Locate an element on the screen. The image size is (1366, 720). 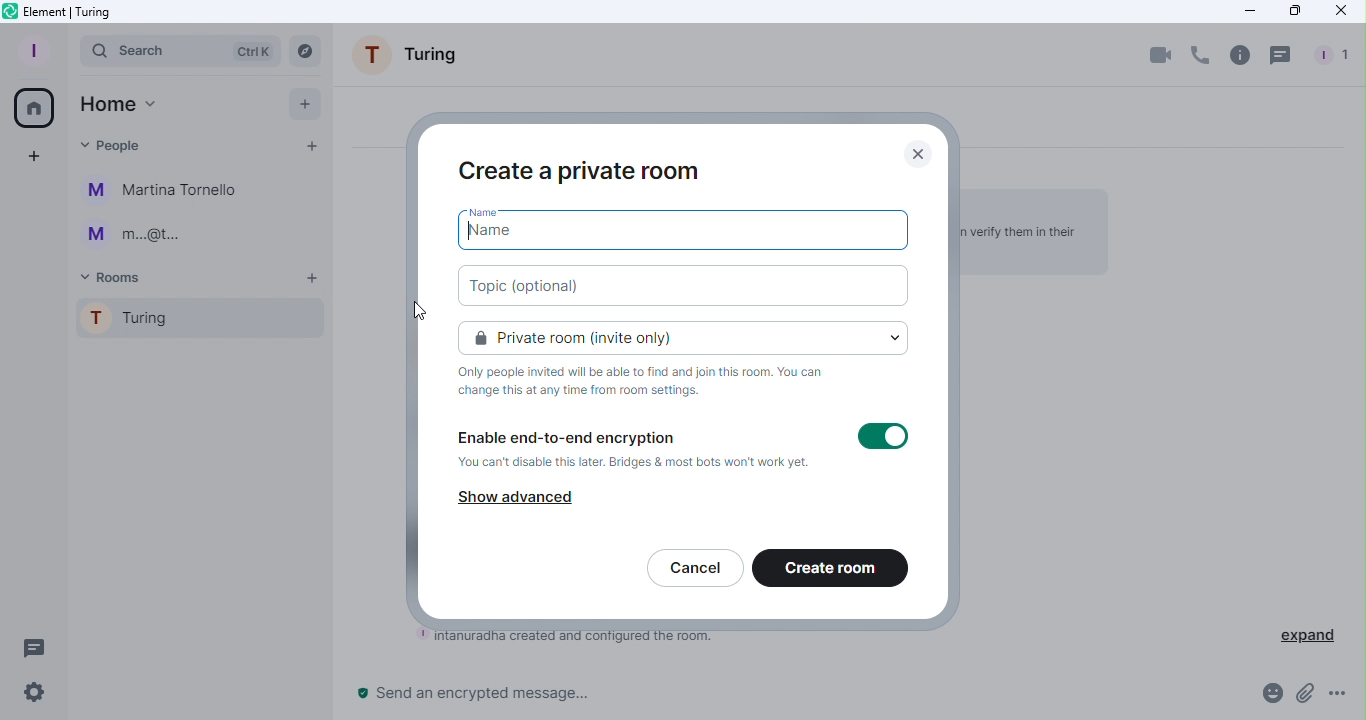
expand is located at coordinates (1308, 633).